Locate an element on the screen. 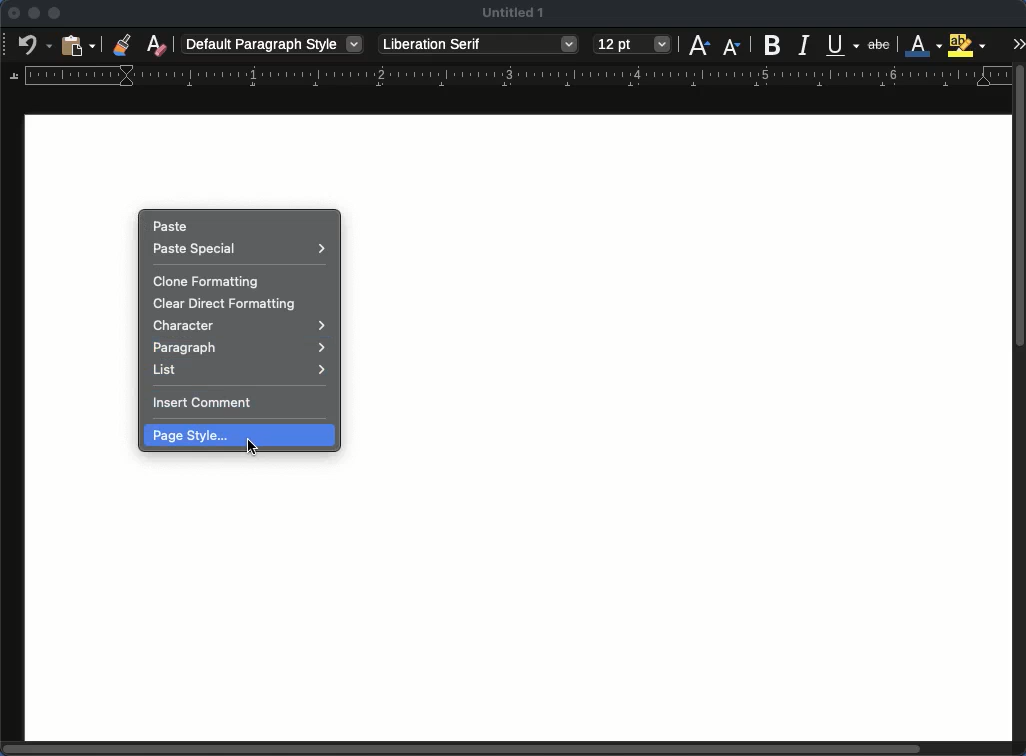  12 pt - size is located at coordinates (633, 43).